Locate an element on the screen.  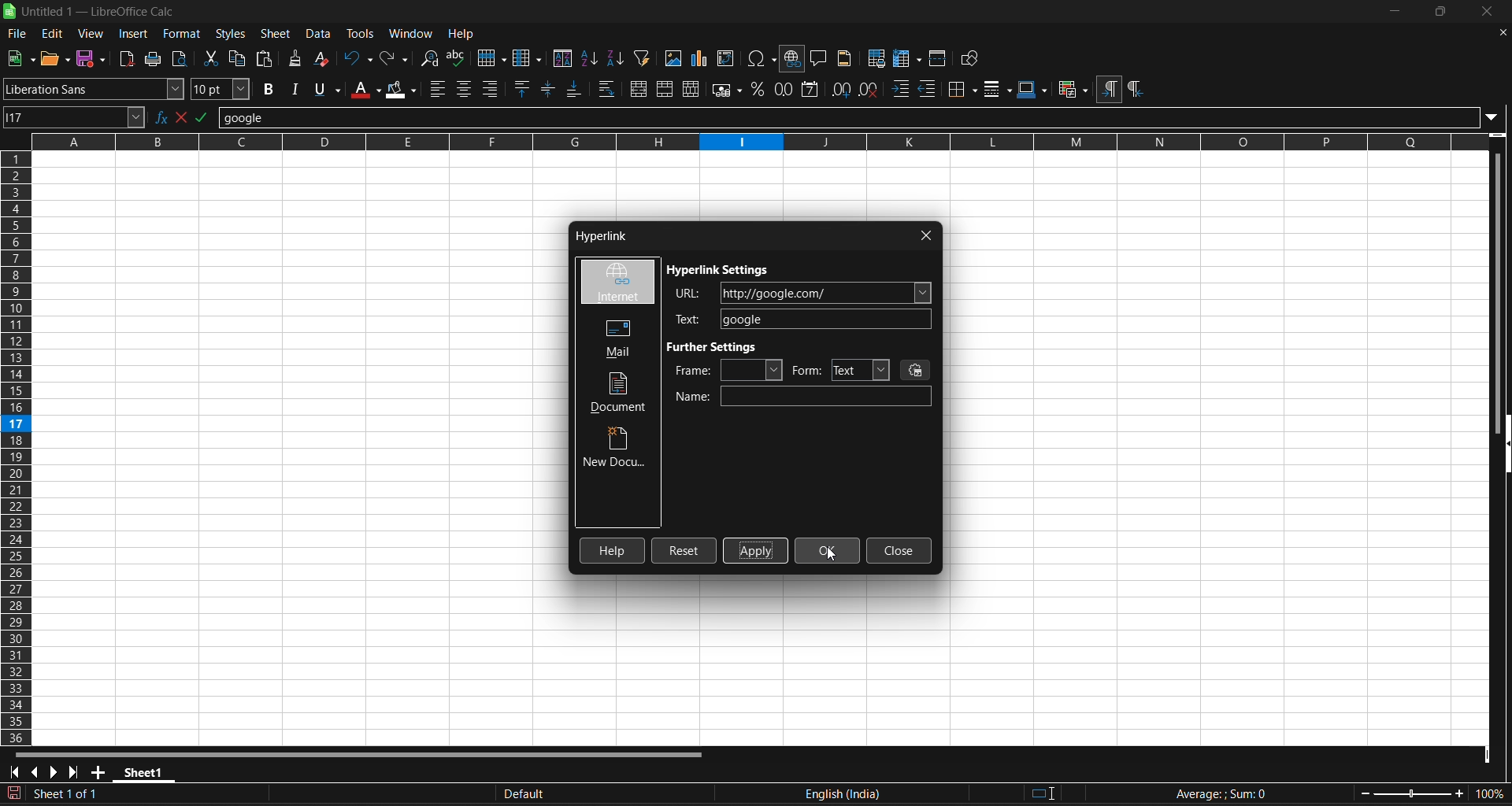
insert or edit pivot table is located at coordinates (728, 58).